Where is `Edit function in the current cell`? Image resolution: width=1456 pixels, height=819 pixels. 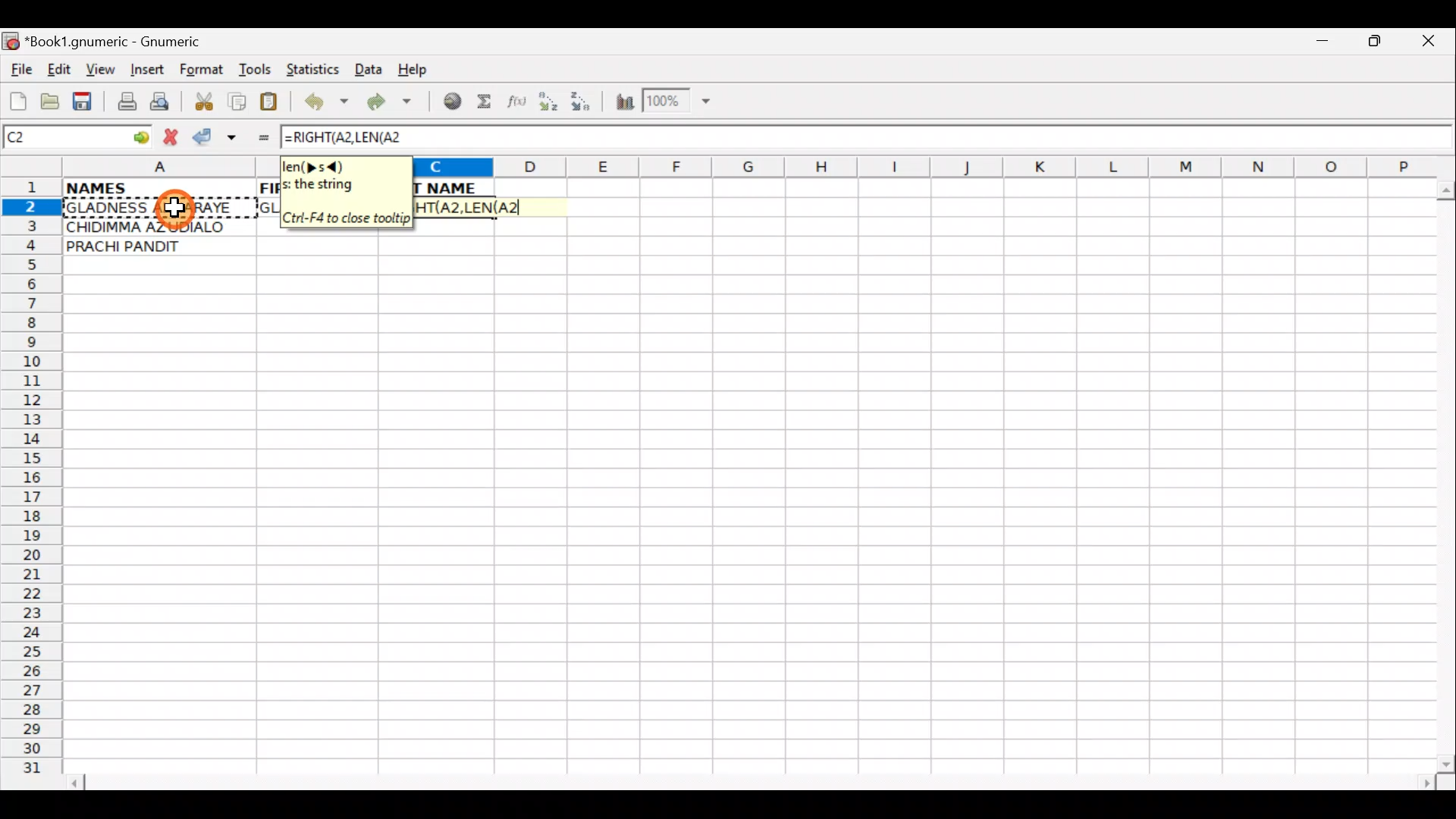
Edit function in the current cell is located at coordinates (519, 105).